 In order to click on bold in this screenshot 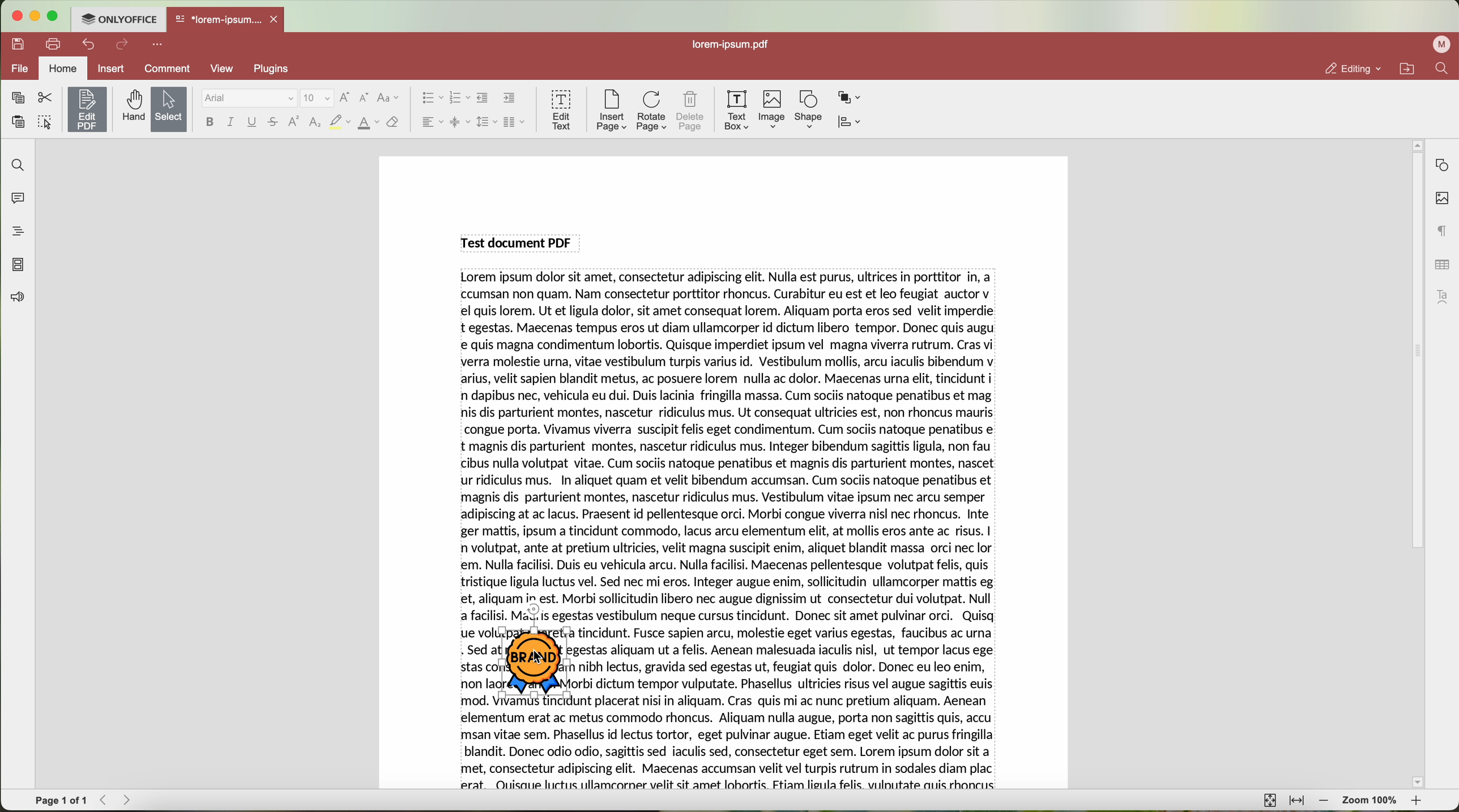, I will do `click(210, 122)`.